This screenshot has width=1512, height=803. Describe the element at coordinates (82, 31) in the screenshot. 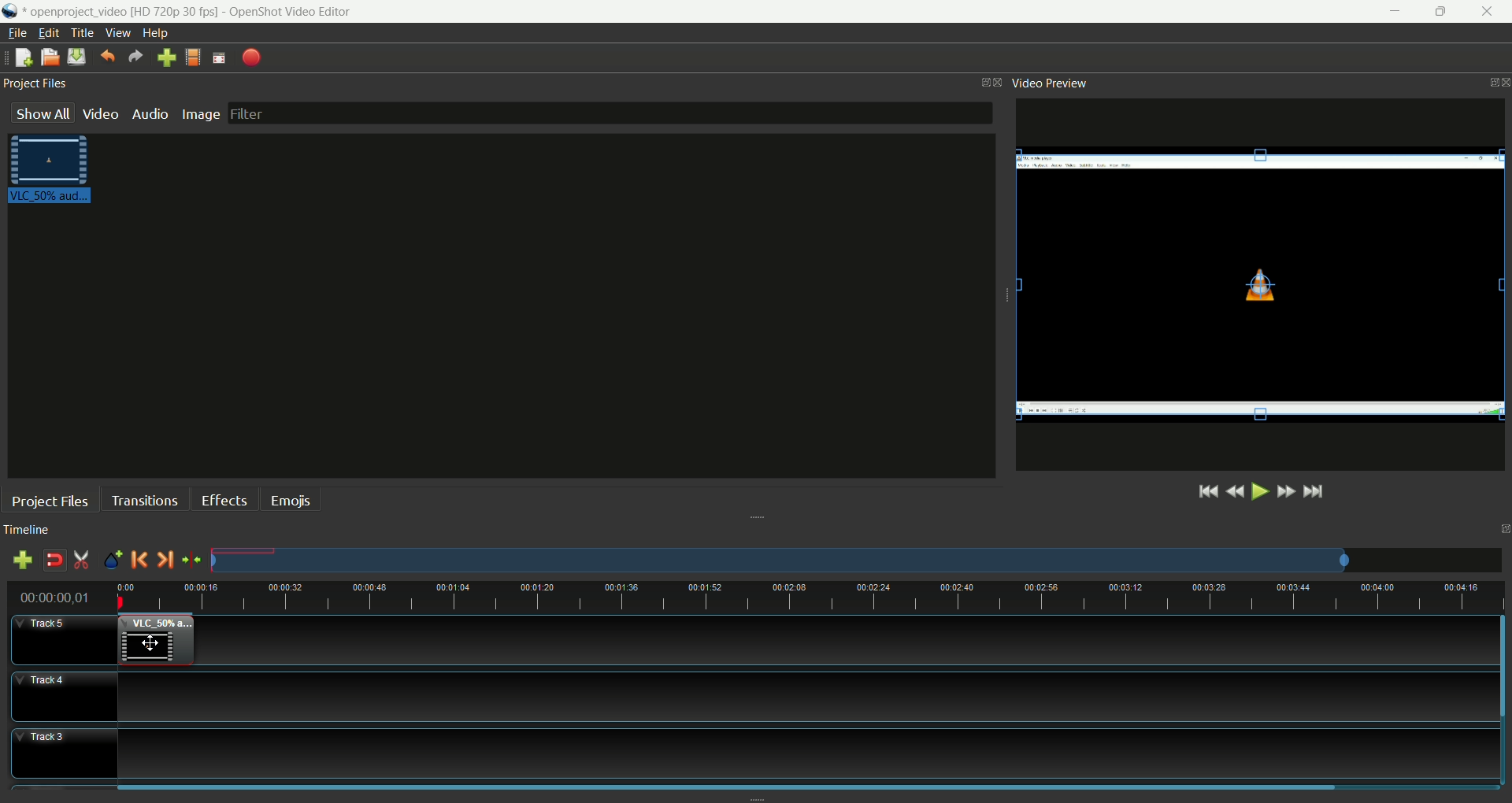

I see `title` at that location.